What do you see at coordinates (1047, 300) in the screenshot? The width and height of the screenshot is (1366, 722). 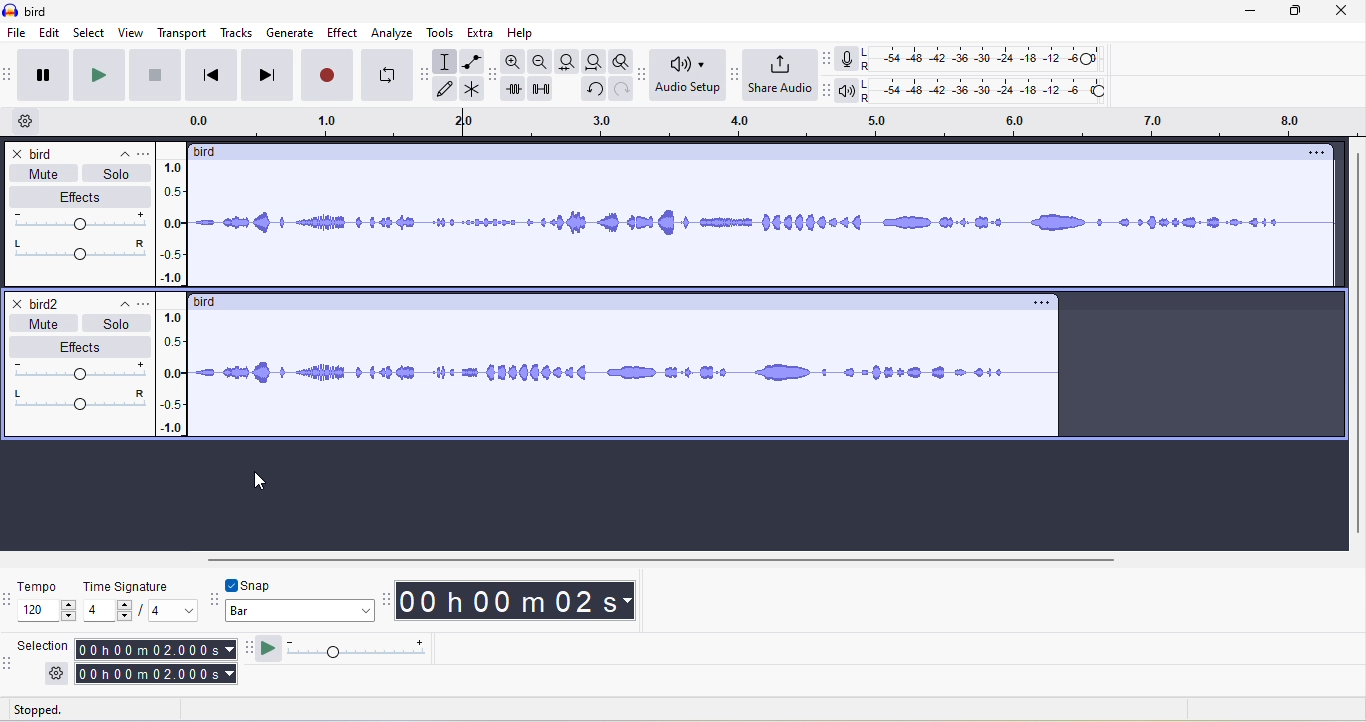 I see `open menu` at bounding box center [1047, 300].